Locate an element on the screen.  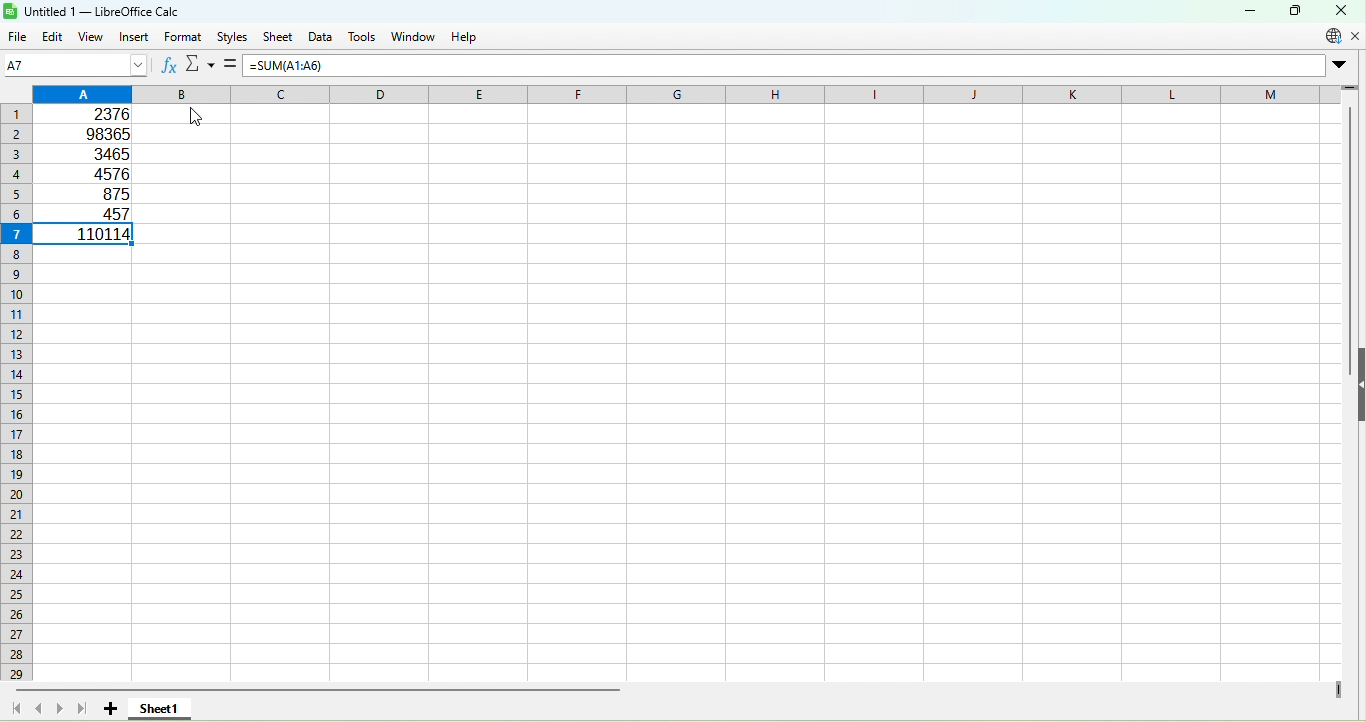
4576 is located at coordinates (100, 171).